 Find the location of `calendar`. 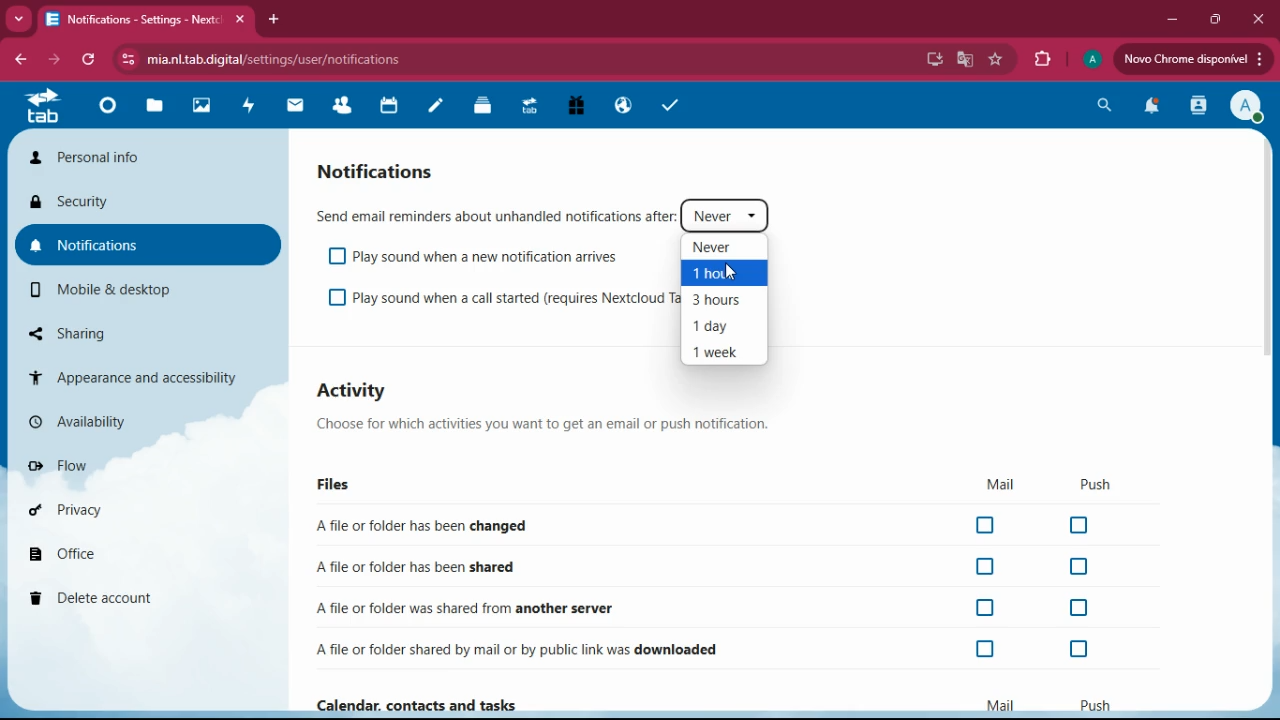

calendar is located at coordinates (390, 107).